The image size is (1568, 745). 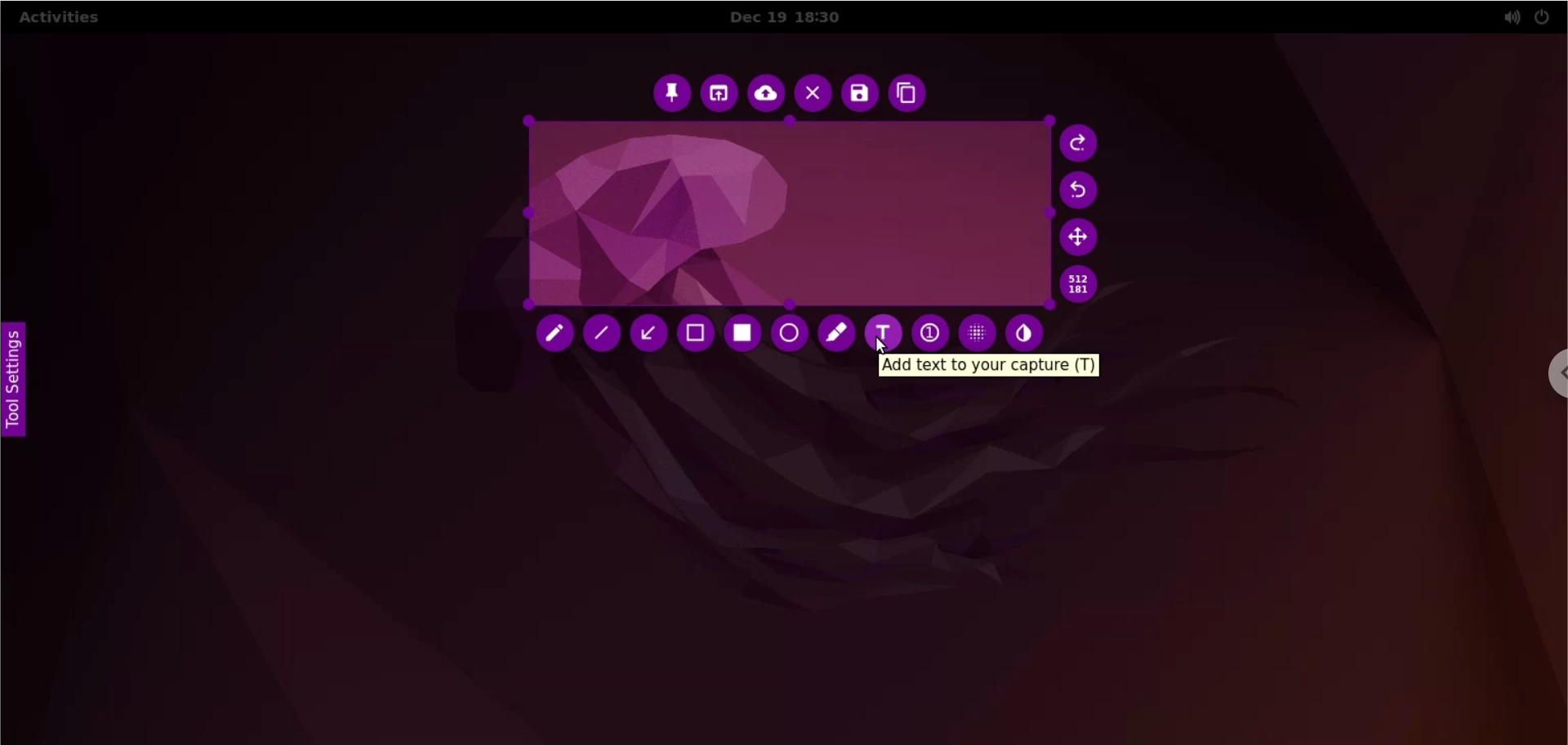 I want to click on line tool, so click(x=602, y=335).